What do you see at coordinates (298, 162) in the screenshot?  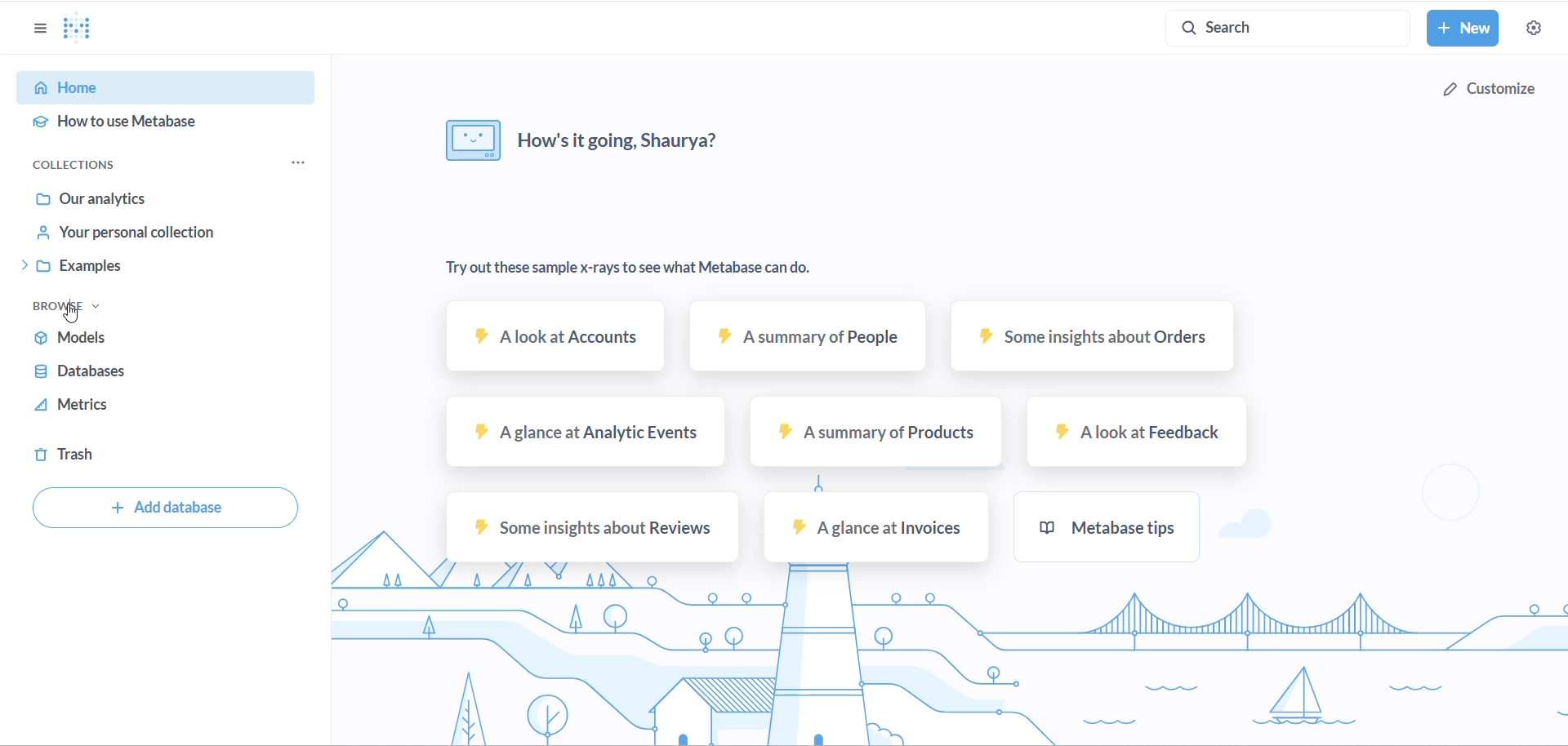 I see `collections menu` at bounding box center [298, 162].